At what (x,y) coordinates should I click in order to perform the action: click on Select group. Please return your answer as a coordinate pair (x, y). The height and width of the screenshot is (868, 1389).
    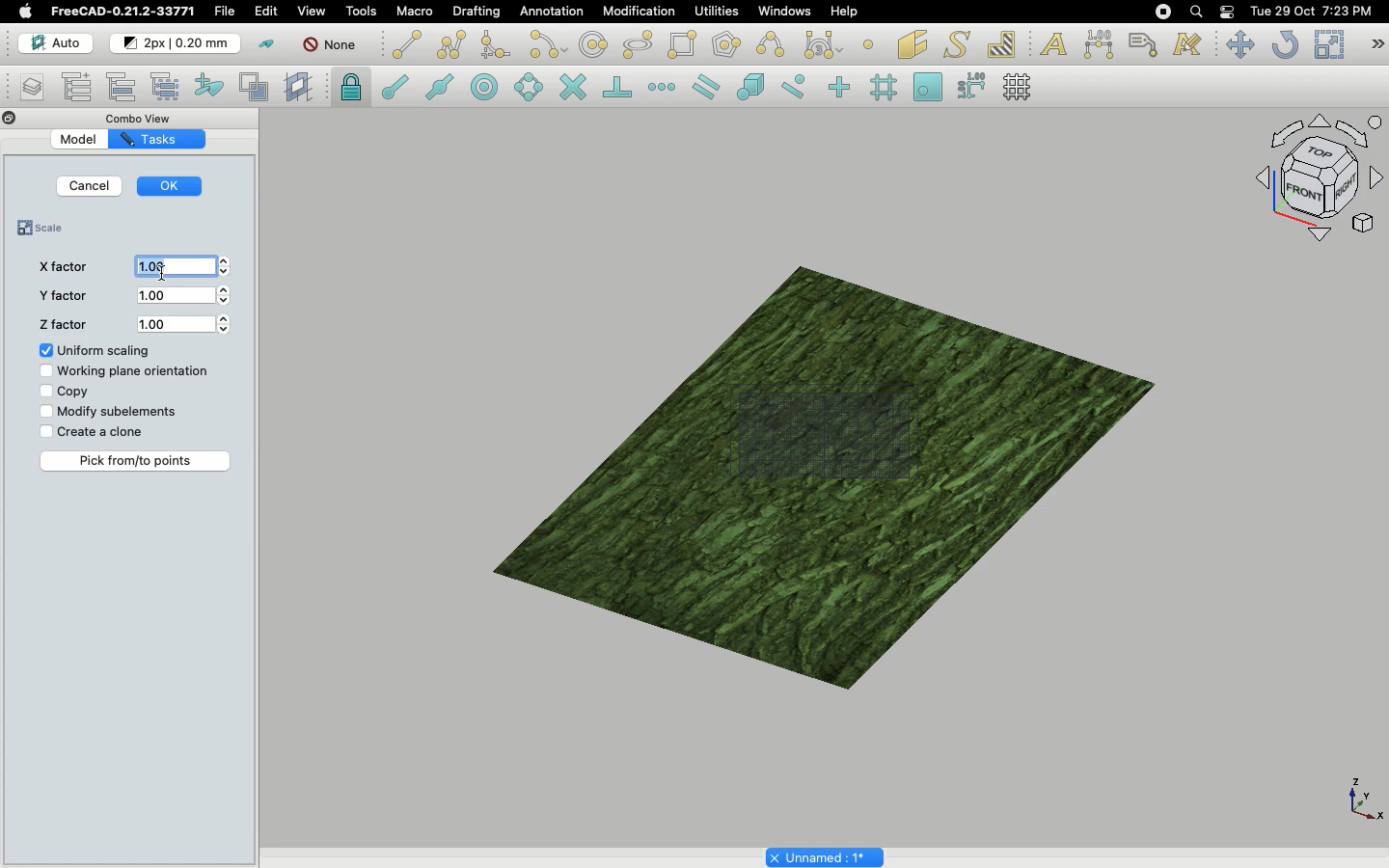
    Looking at the image, I should click on (168, 86).